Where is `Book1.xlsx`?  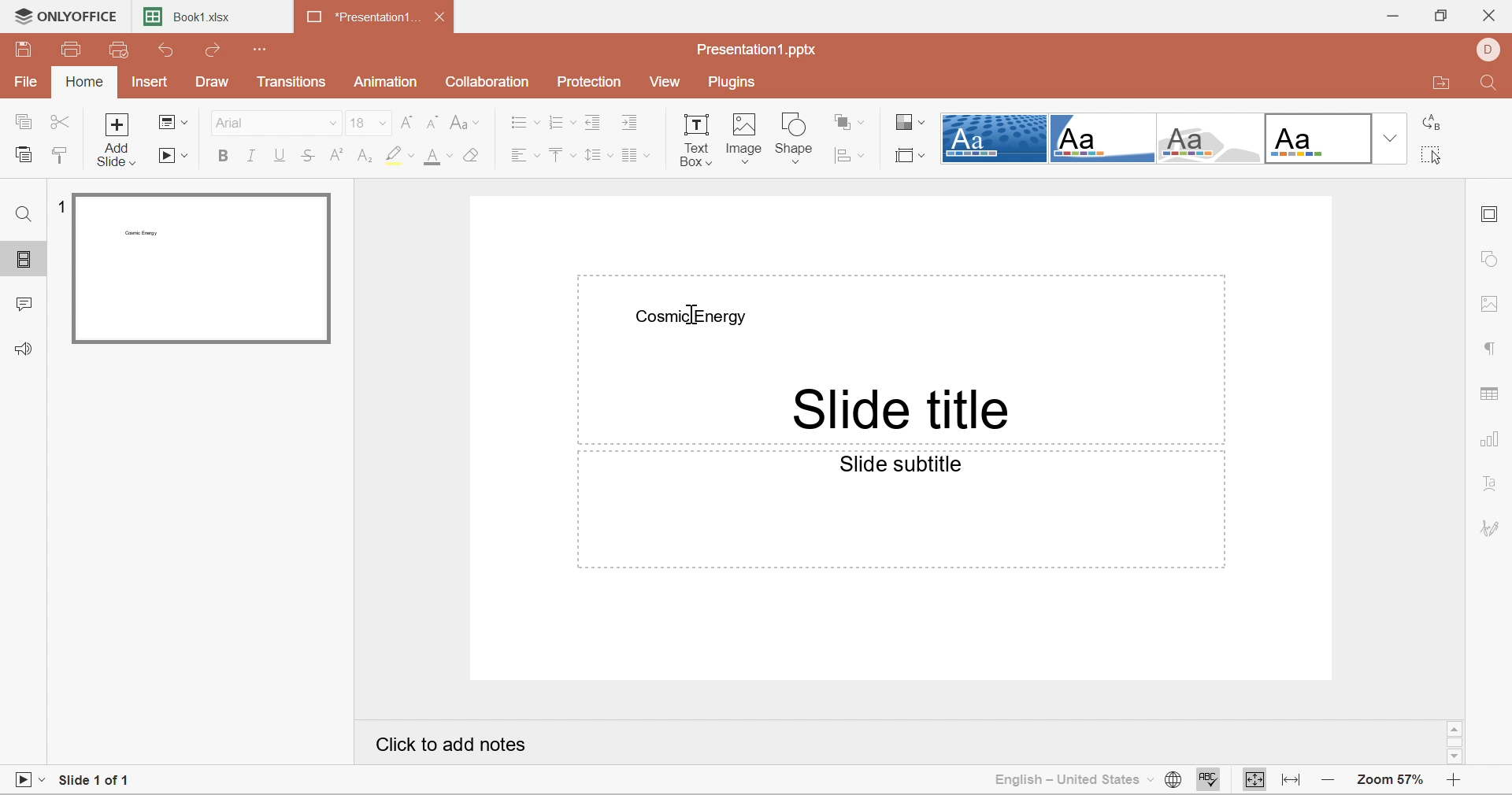
Book1.xlsx is located at coordinates (196, 20).